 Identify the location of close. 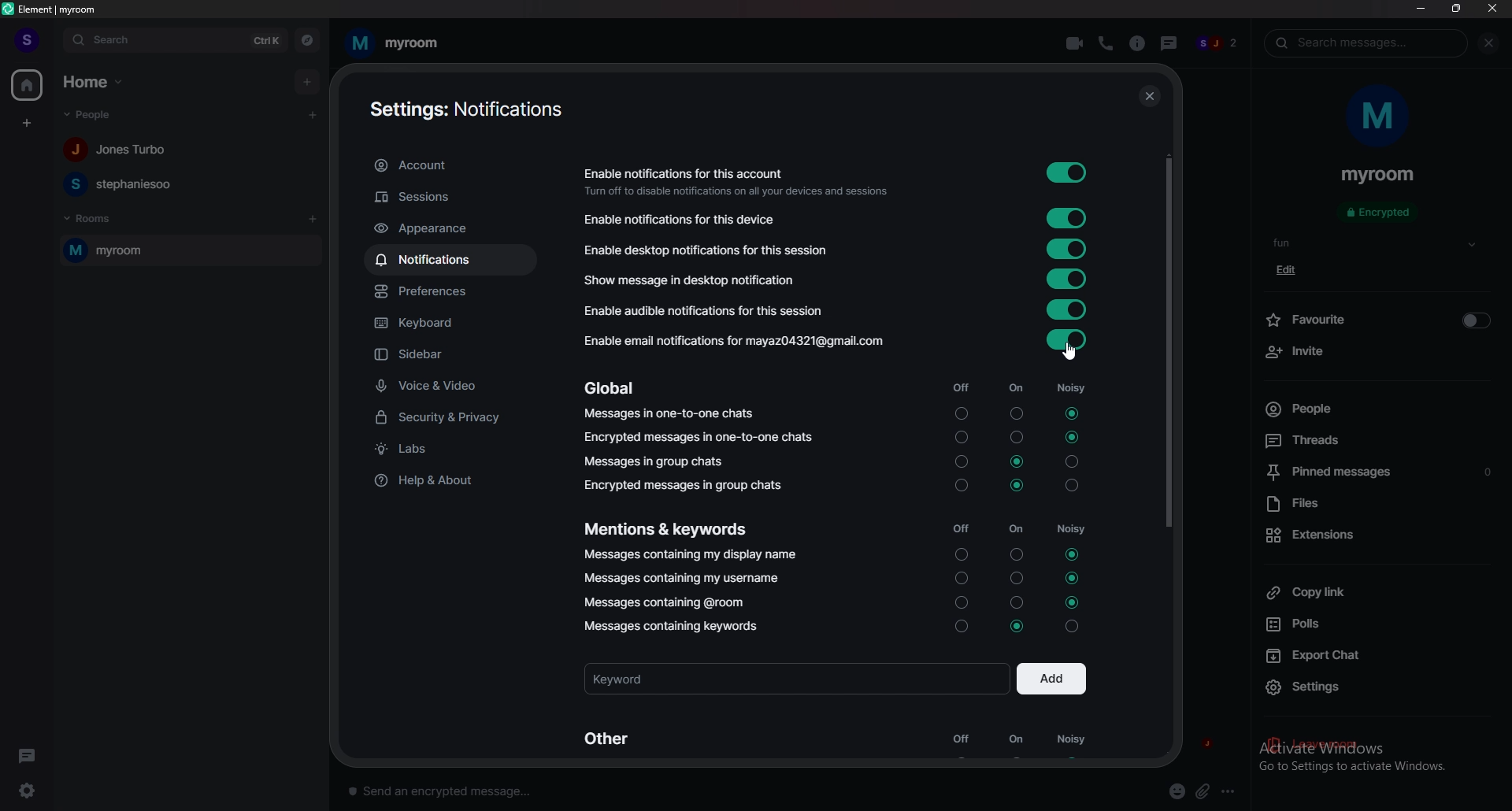
(1147, 96).